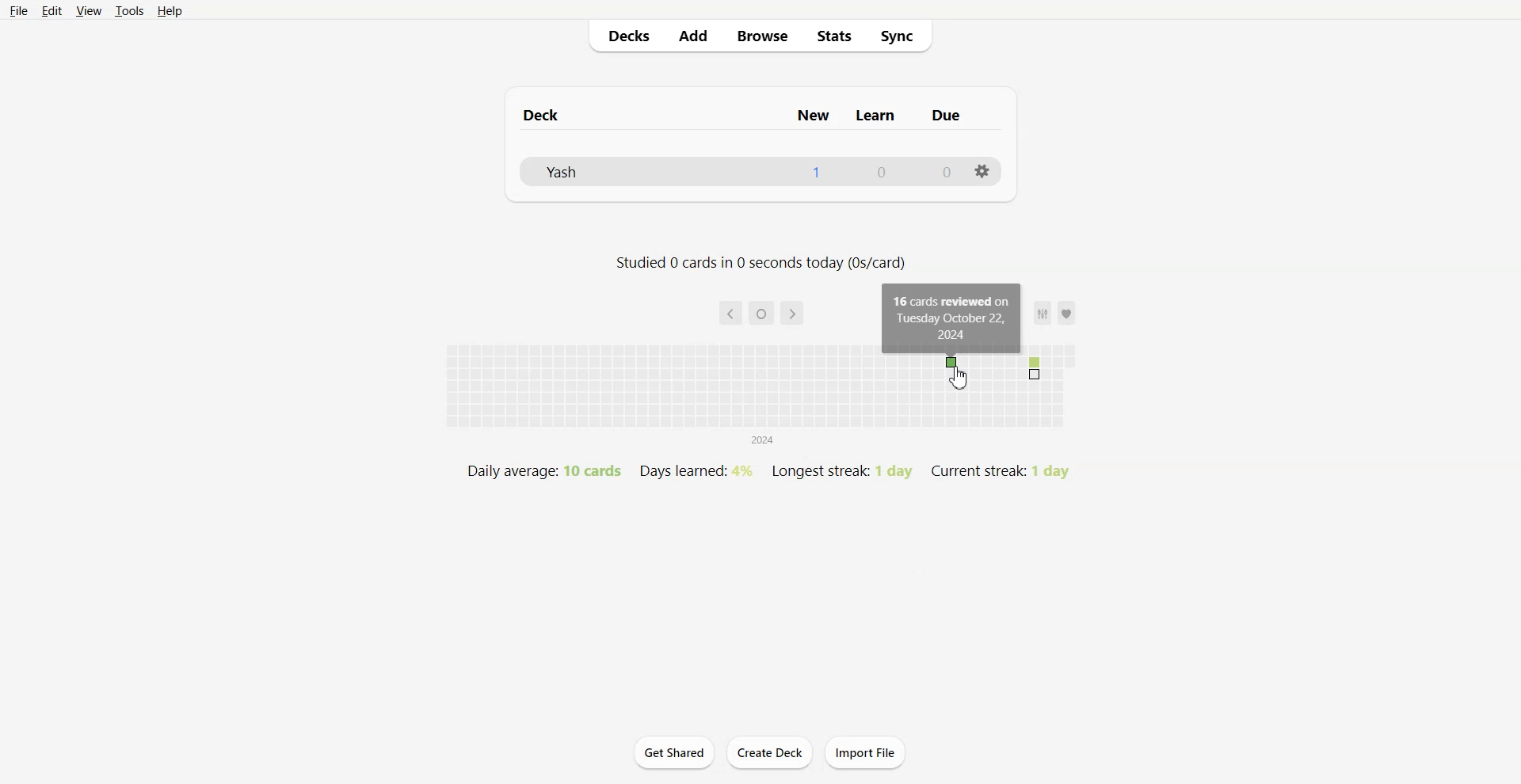 Image resolution: width=1521 pixels, height=784 pixels. I want to click on daily average: 10 cards, so click(543, 470).